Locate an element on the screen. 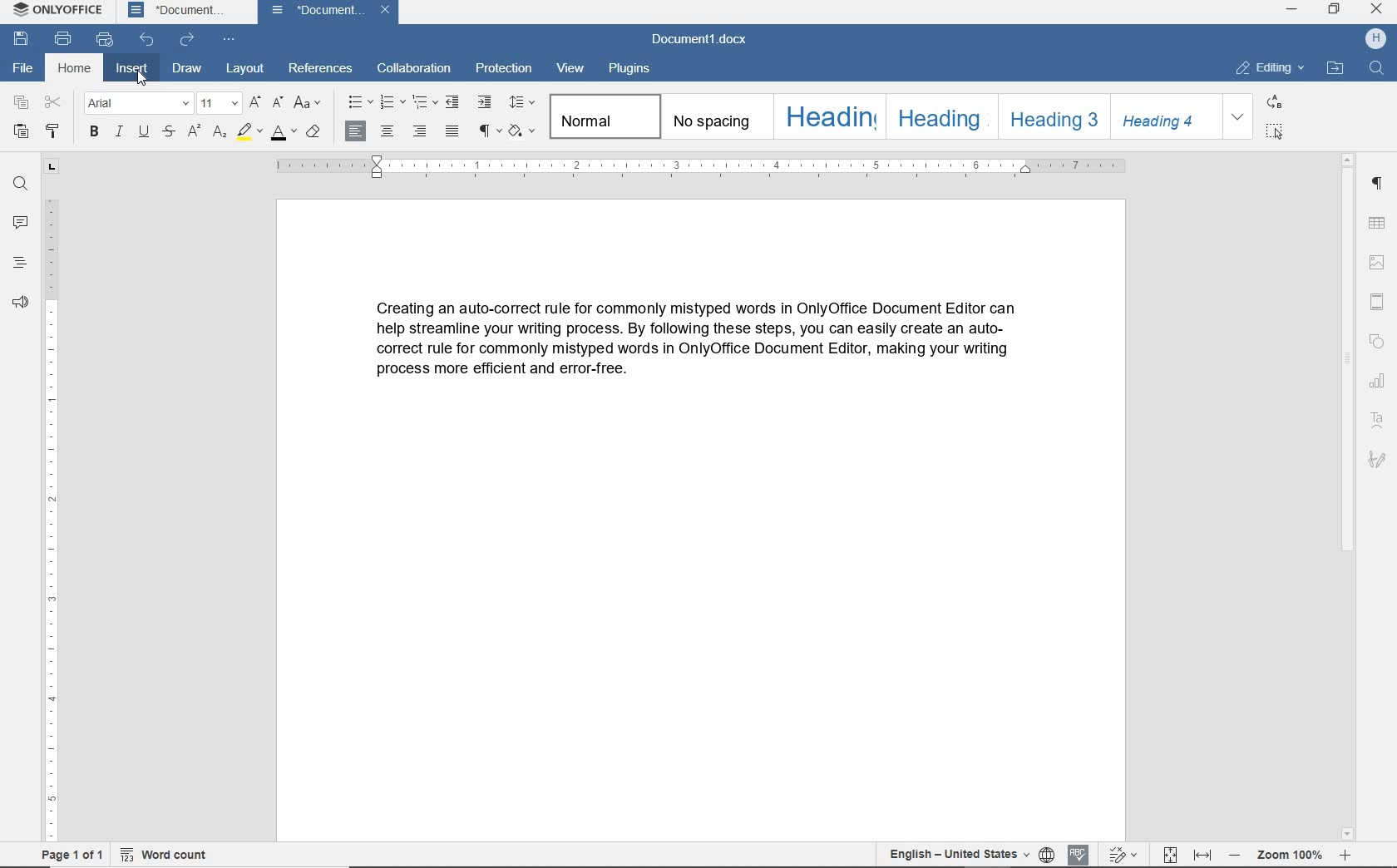 The height and width of the screenshot is (868, 1397). chart is located at coordinates (1379, 382).